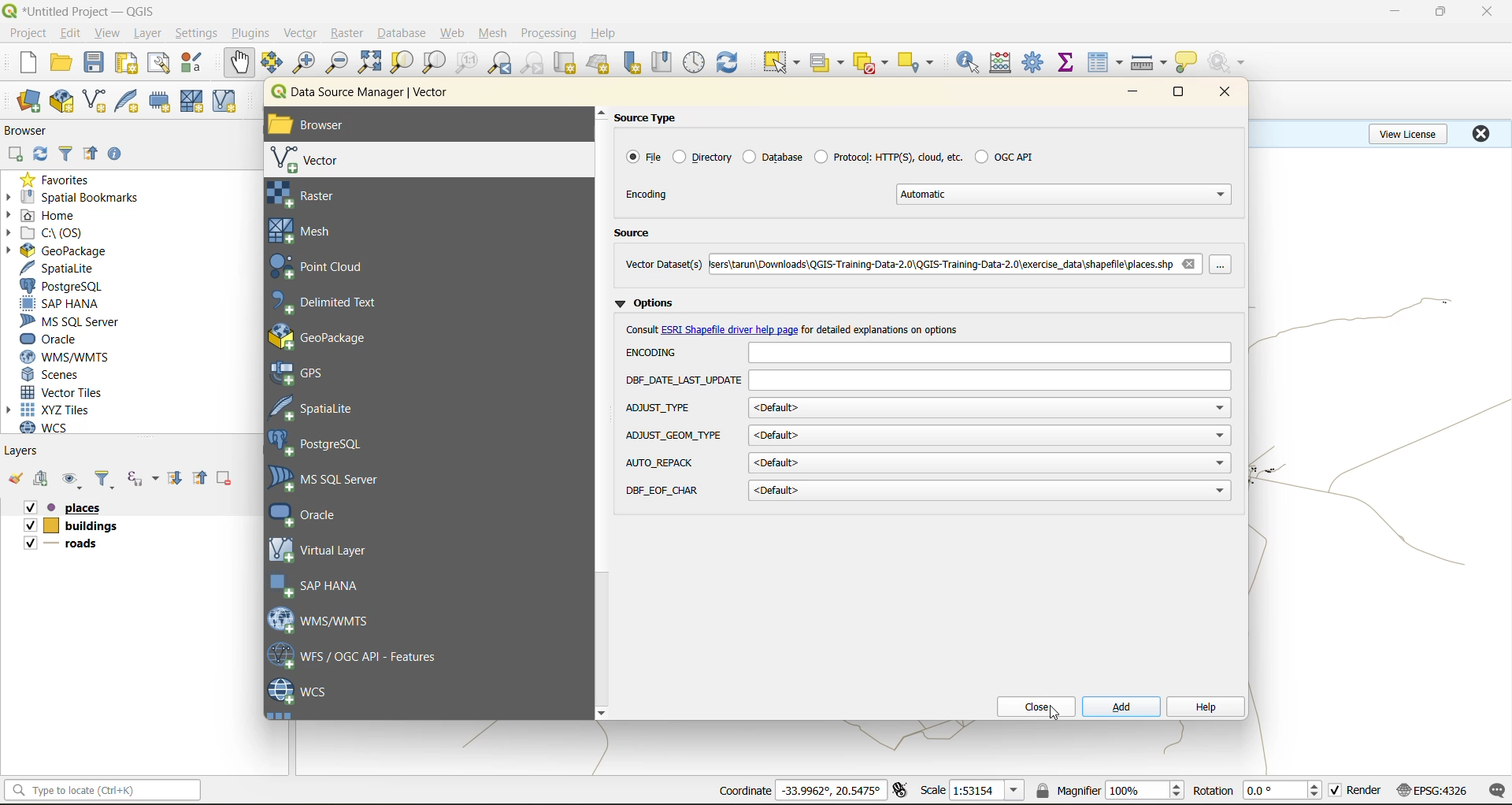 The width and height of the screenshot is (1512, 805). What do you see at coordinates (1004, 156) in the screenshot?
I see `ogc api` at bounding box center [1004, 156].